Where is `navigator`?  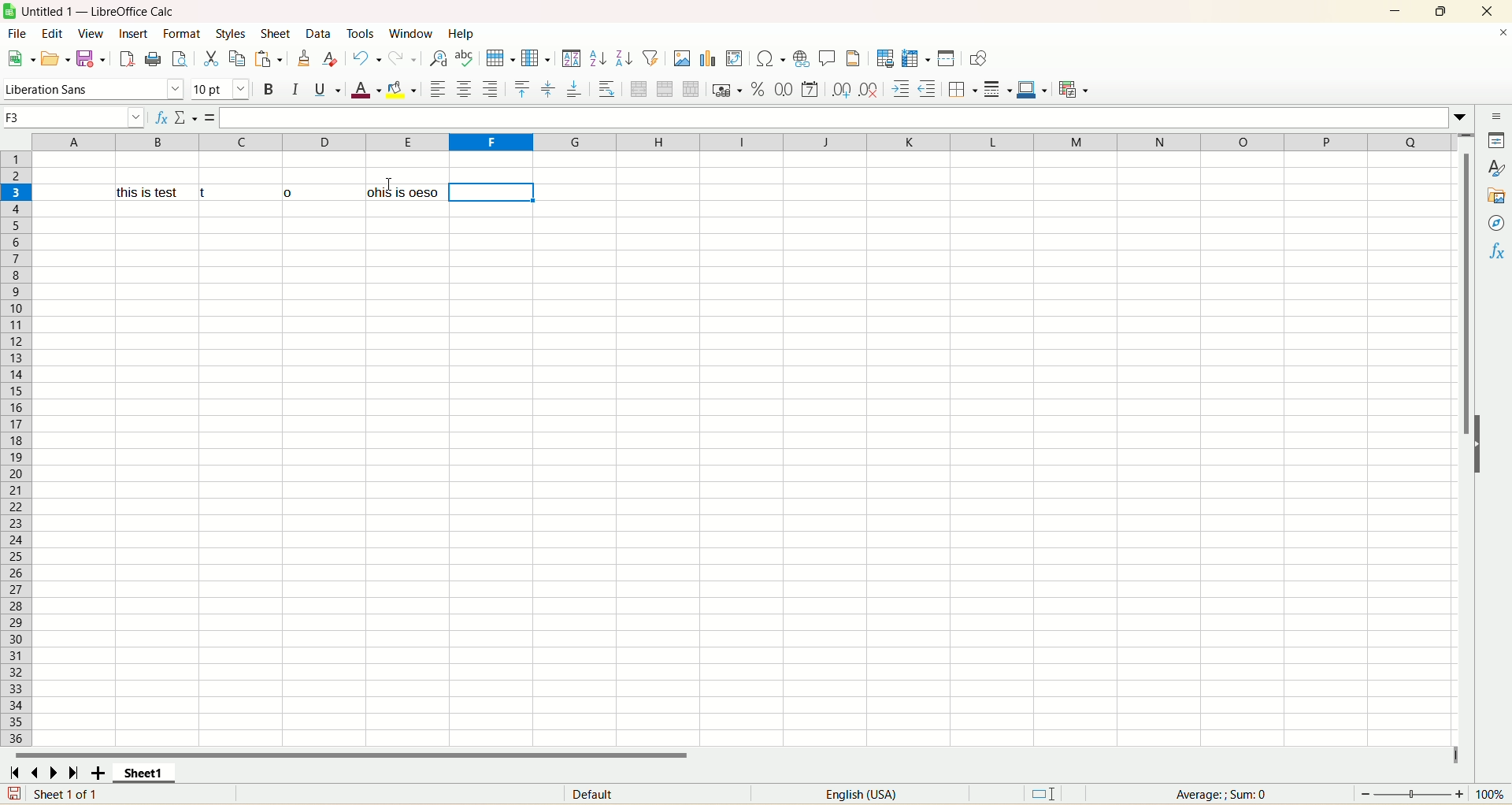
navigator is located at coordinates (1495, 224).